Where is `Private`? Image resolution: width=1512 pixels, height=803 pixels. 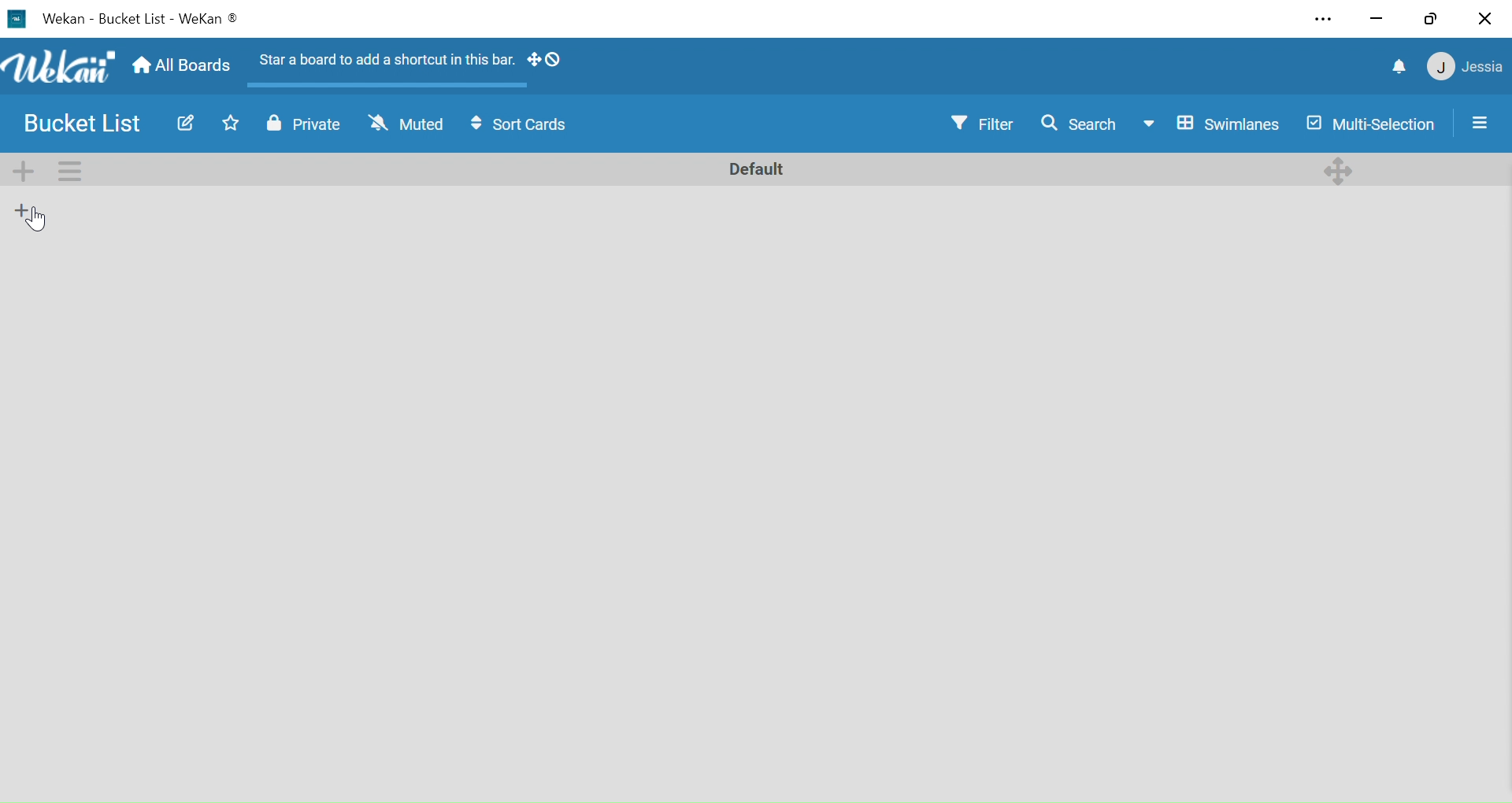 Private is located at coordinates (304, 127).